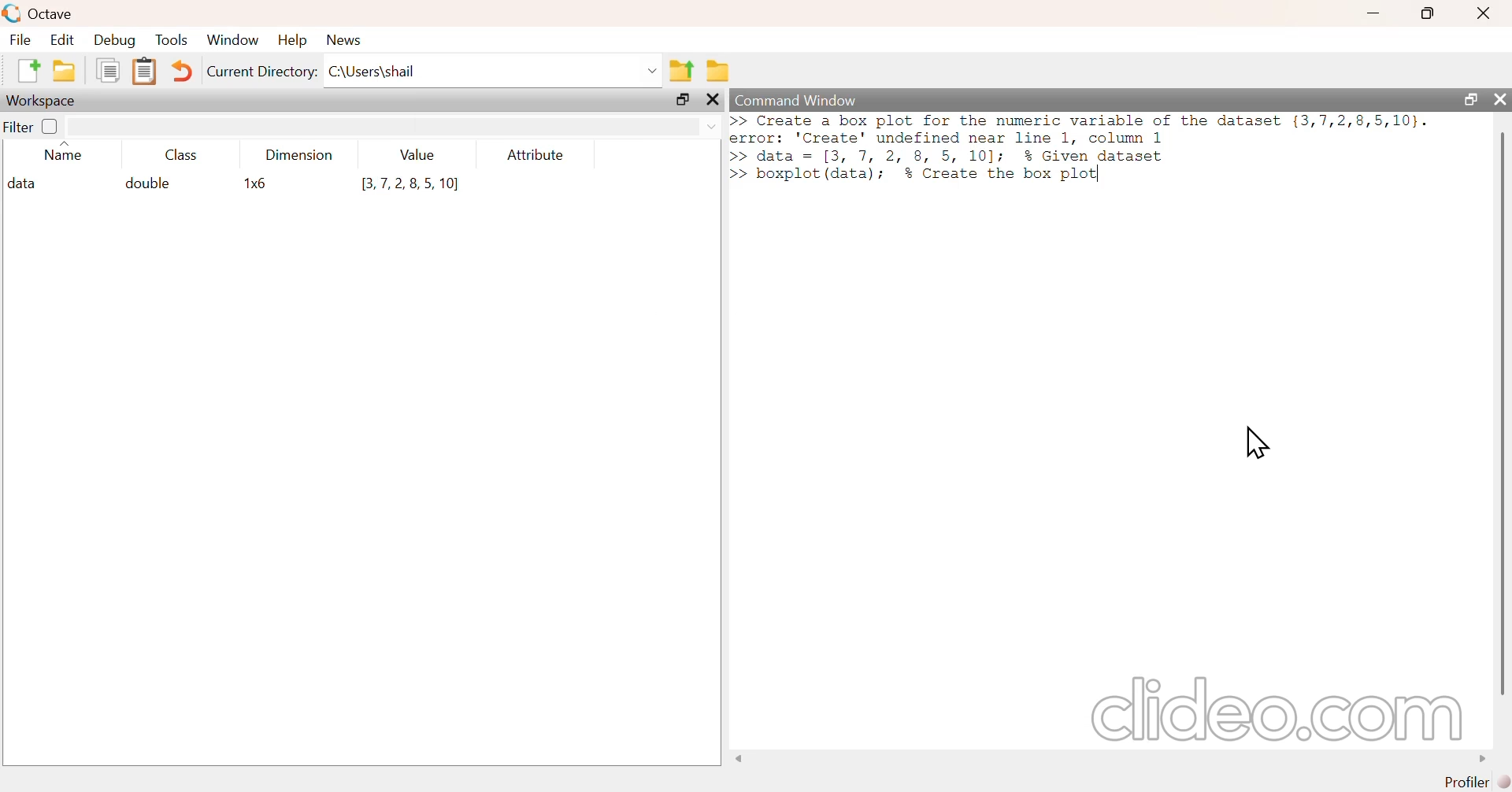 This screenshot has width=1512, height=792. Describe the element at coordinates (10, 13) in the screenshot. I see `logo` at that location.